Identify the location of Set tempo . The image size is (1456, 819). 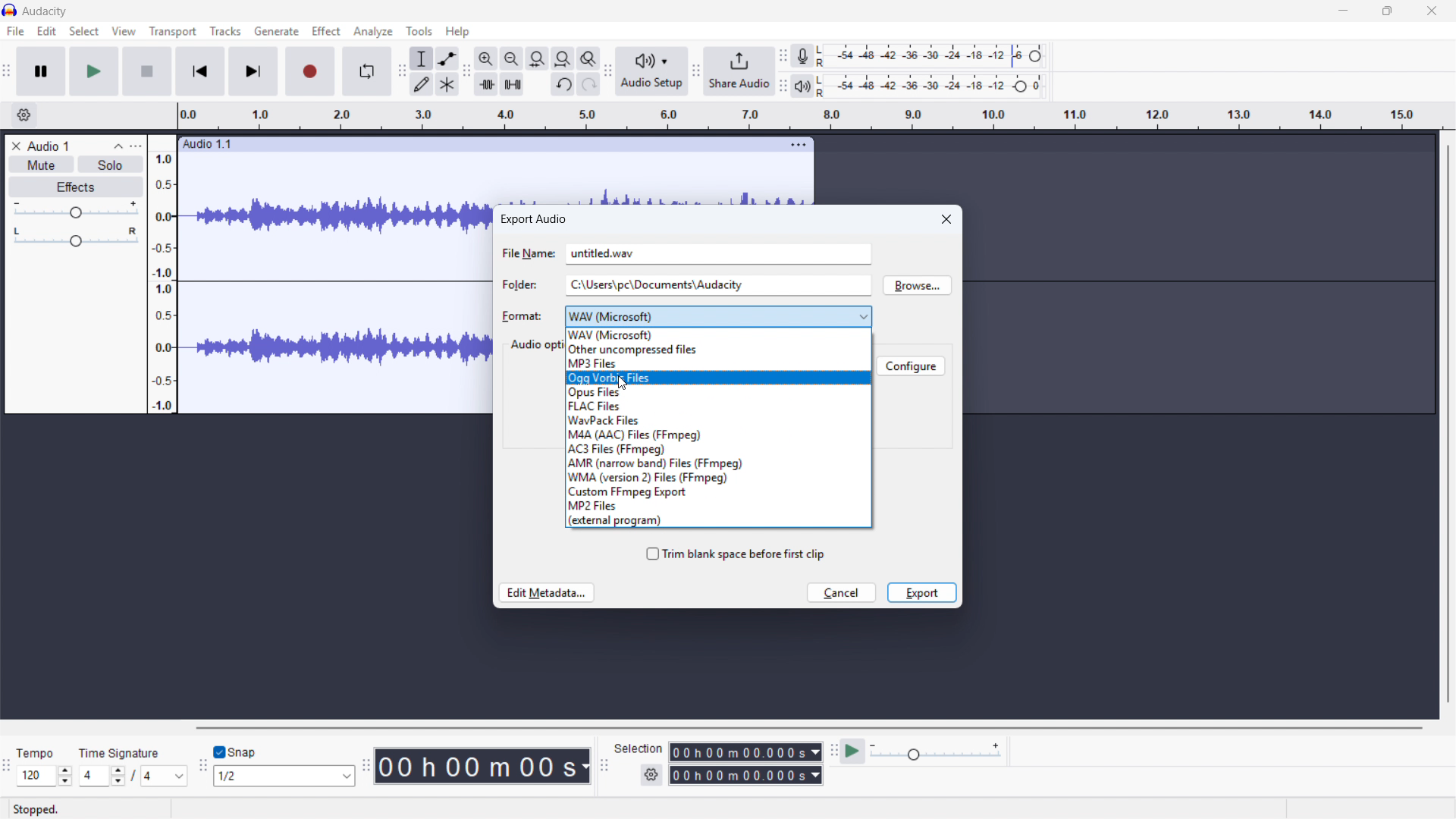
(44, 777).